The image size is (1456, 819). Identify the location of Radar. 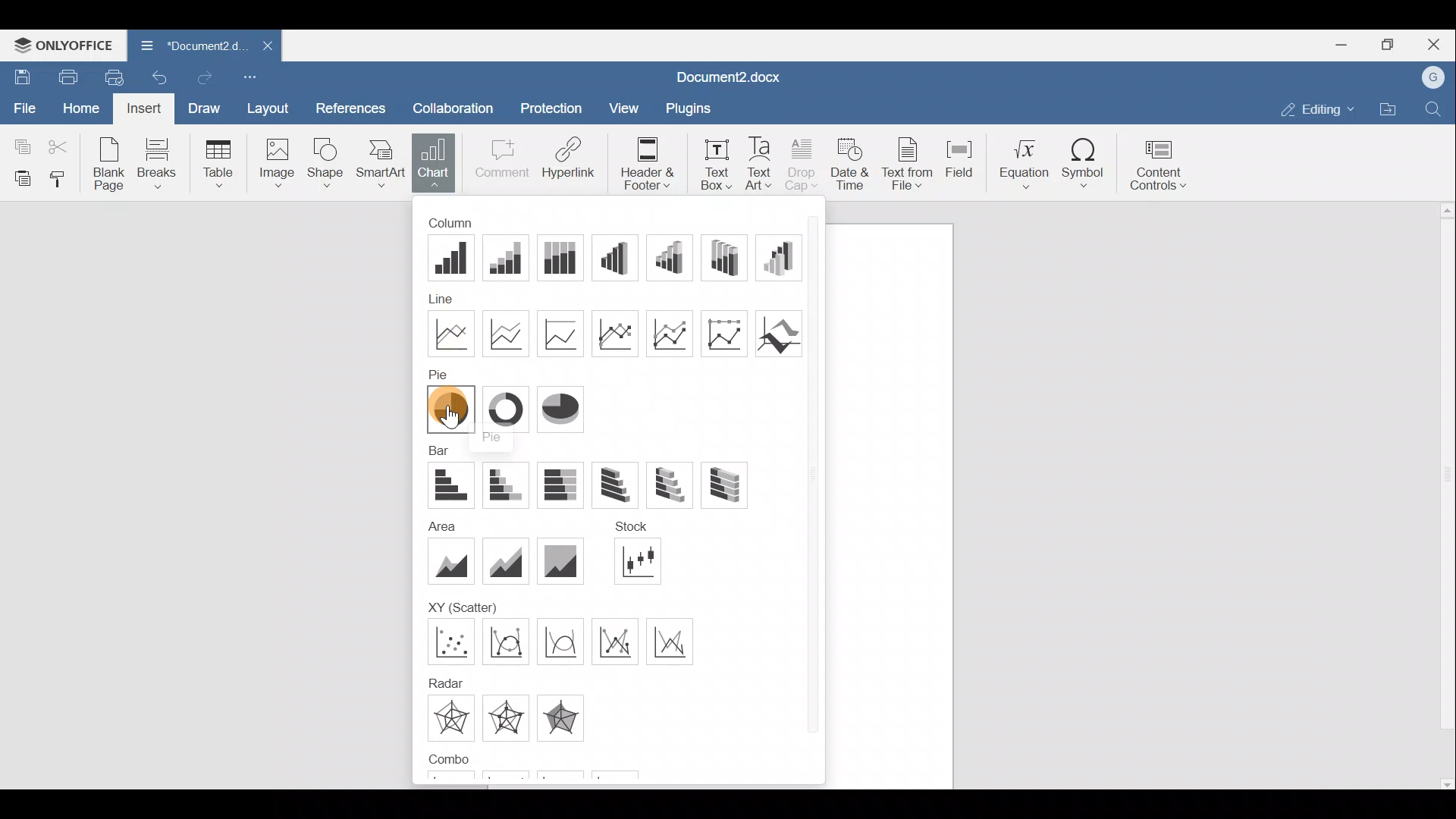
(444, 681).